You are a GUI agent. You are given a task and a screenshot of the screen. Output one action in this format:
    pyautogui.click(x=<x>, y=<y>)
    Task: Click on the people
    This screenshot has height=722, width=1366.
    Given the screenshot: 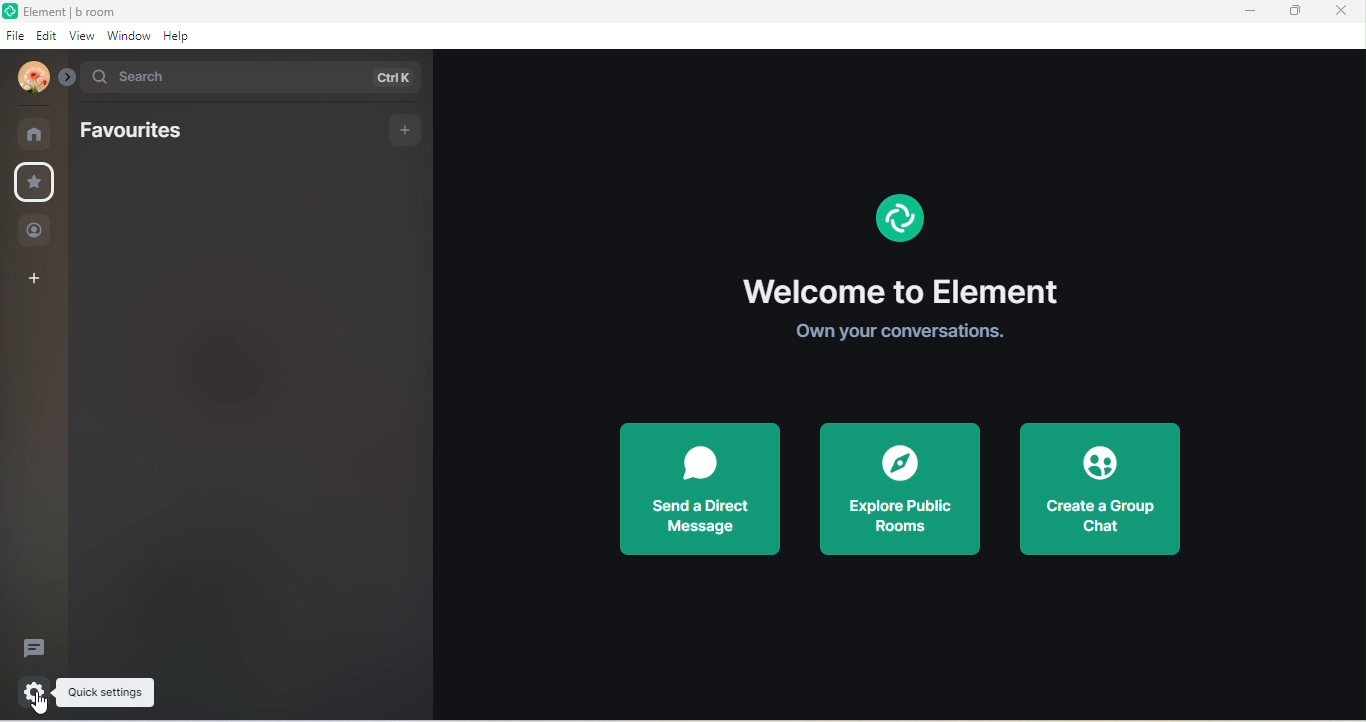 What is the action you would take?
    pyautogui.click(x=35, y=232)
    